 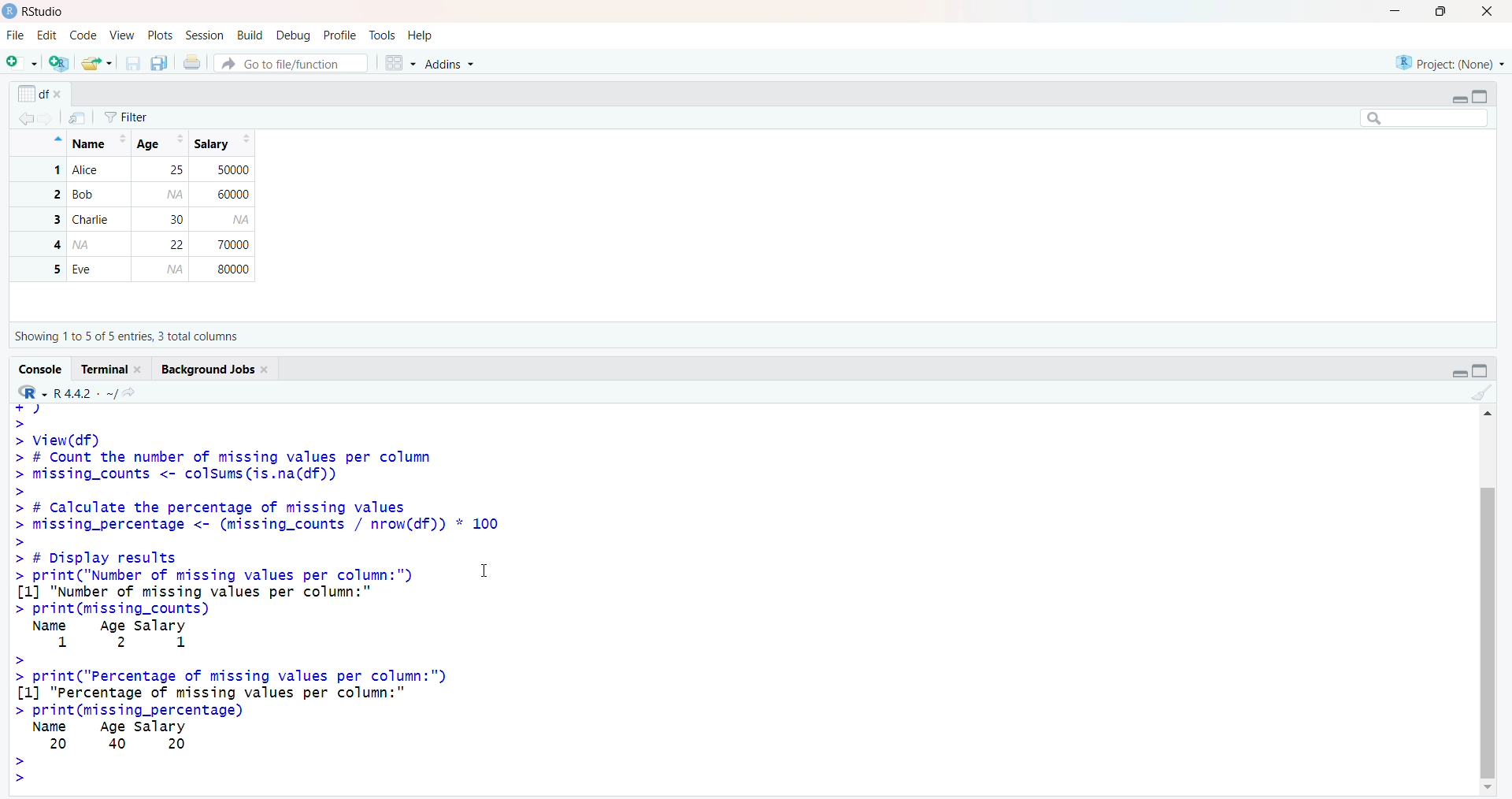 What do you see at coordinates (194, 61) in the screenshot?
I see `Print the current file` at bounding box center [194, 61].